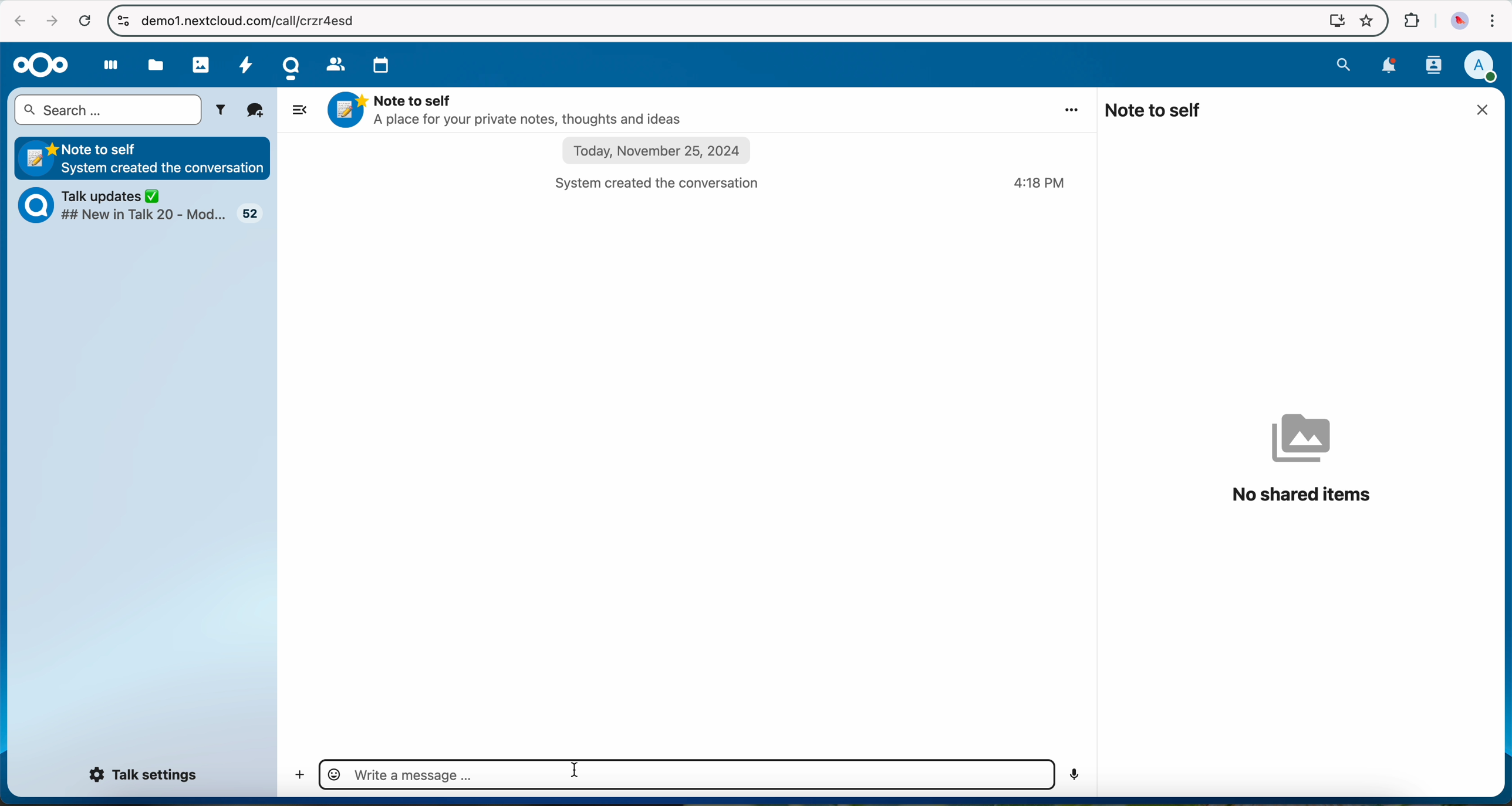 The height and width of the screenshot is (806, 1512). What do you see at coordinates (261, 20) in the screenshot?
I see `URL` at bounding box center [261, 20].